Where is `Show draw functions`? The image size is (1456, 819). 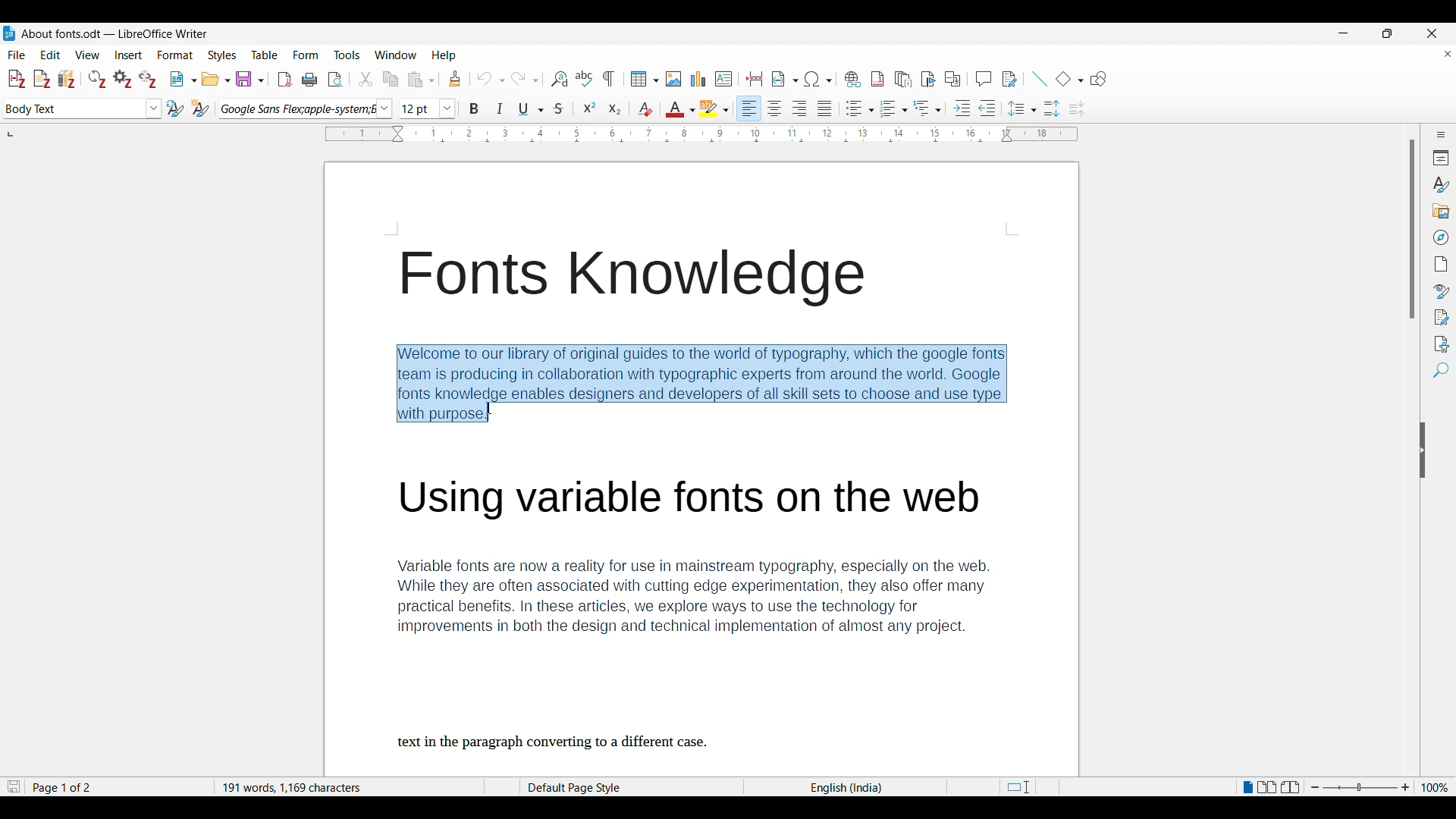 Show draw functions is located at coordinates (1099, 78).